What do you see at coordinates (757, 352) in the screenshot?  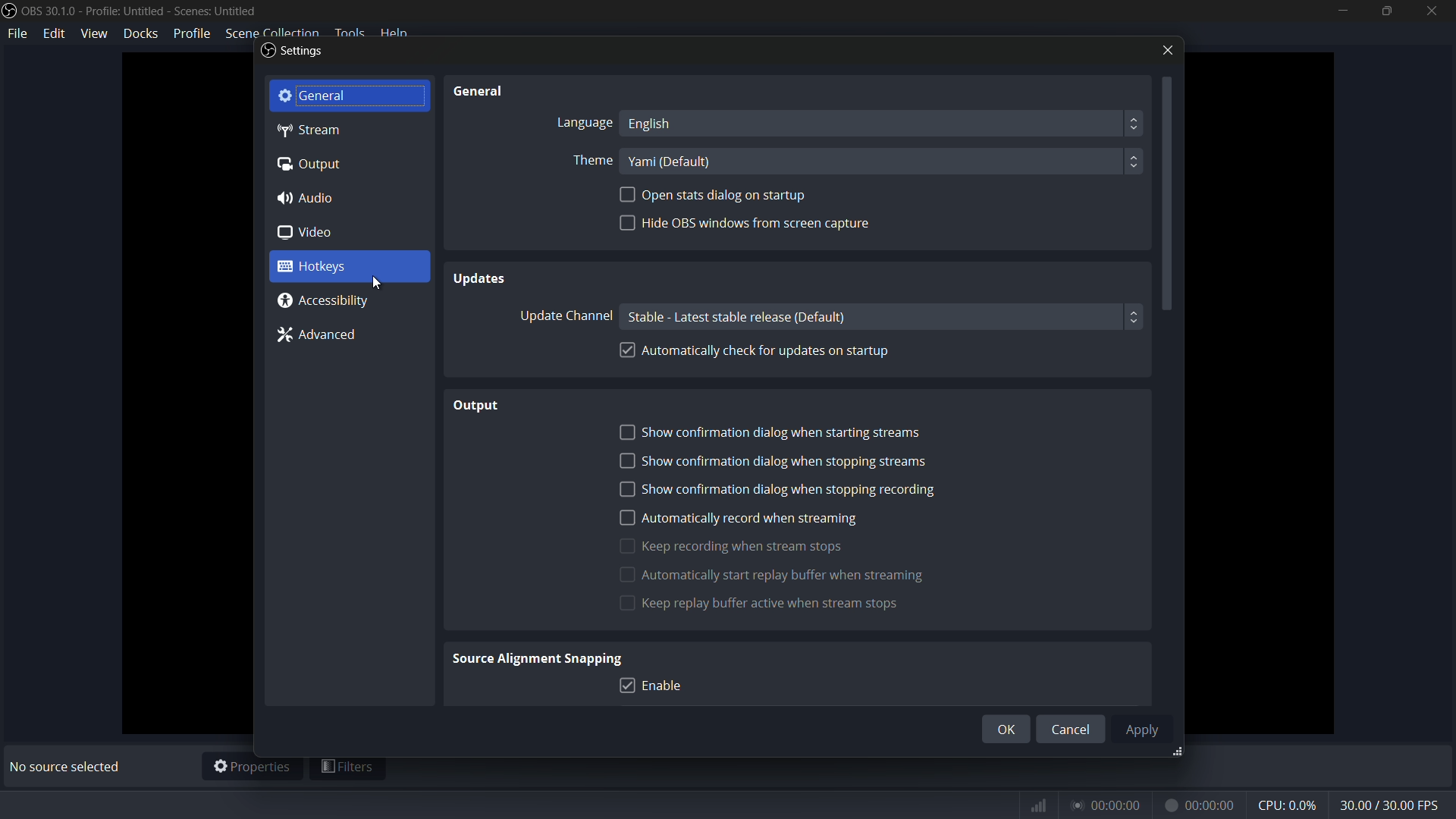 I see `automatically check for updates on startup` at bounding box center [757, 352].